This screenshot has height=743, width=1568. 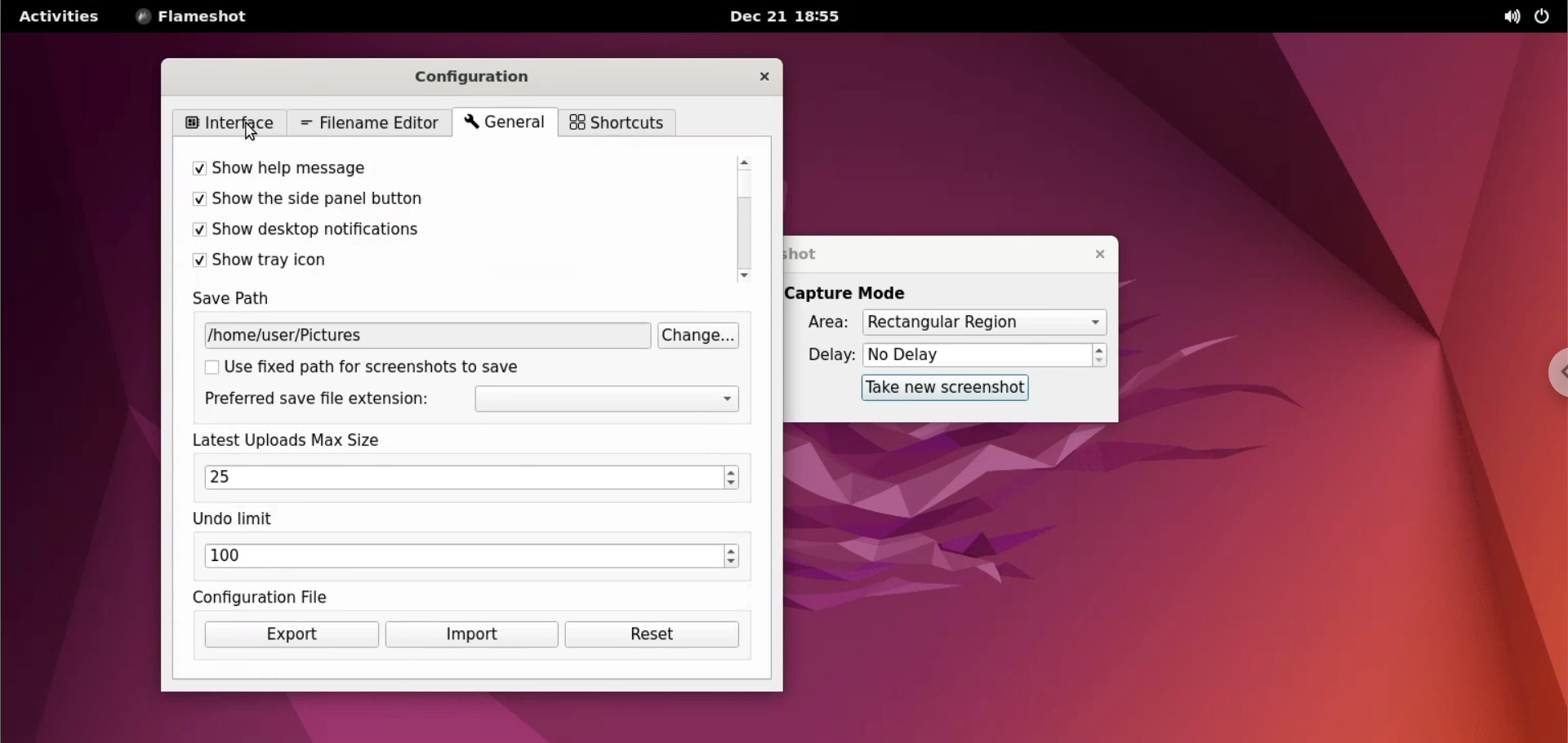 What do you see at coordinates (615, 122) in the screenshot?
I see `shortcuts` at bounding box center [615, 122].